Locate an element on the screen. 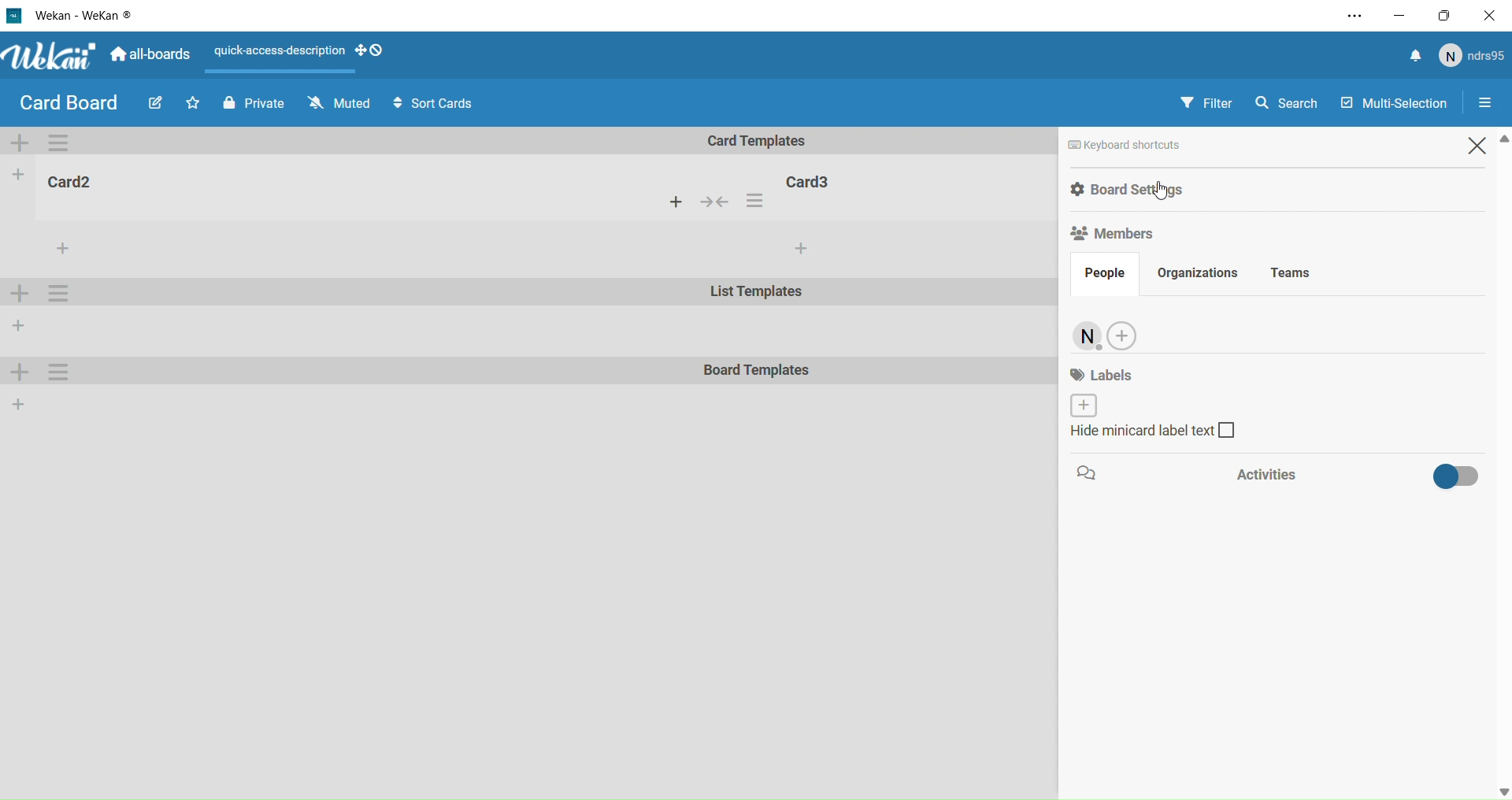   is located at coordinates (149, 57).